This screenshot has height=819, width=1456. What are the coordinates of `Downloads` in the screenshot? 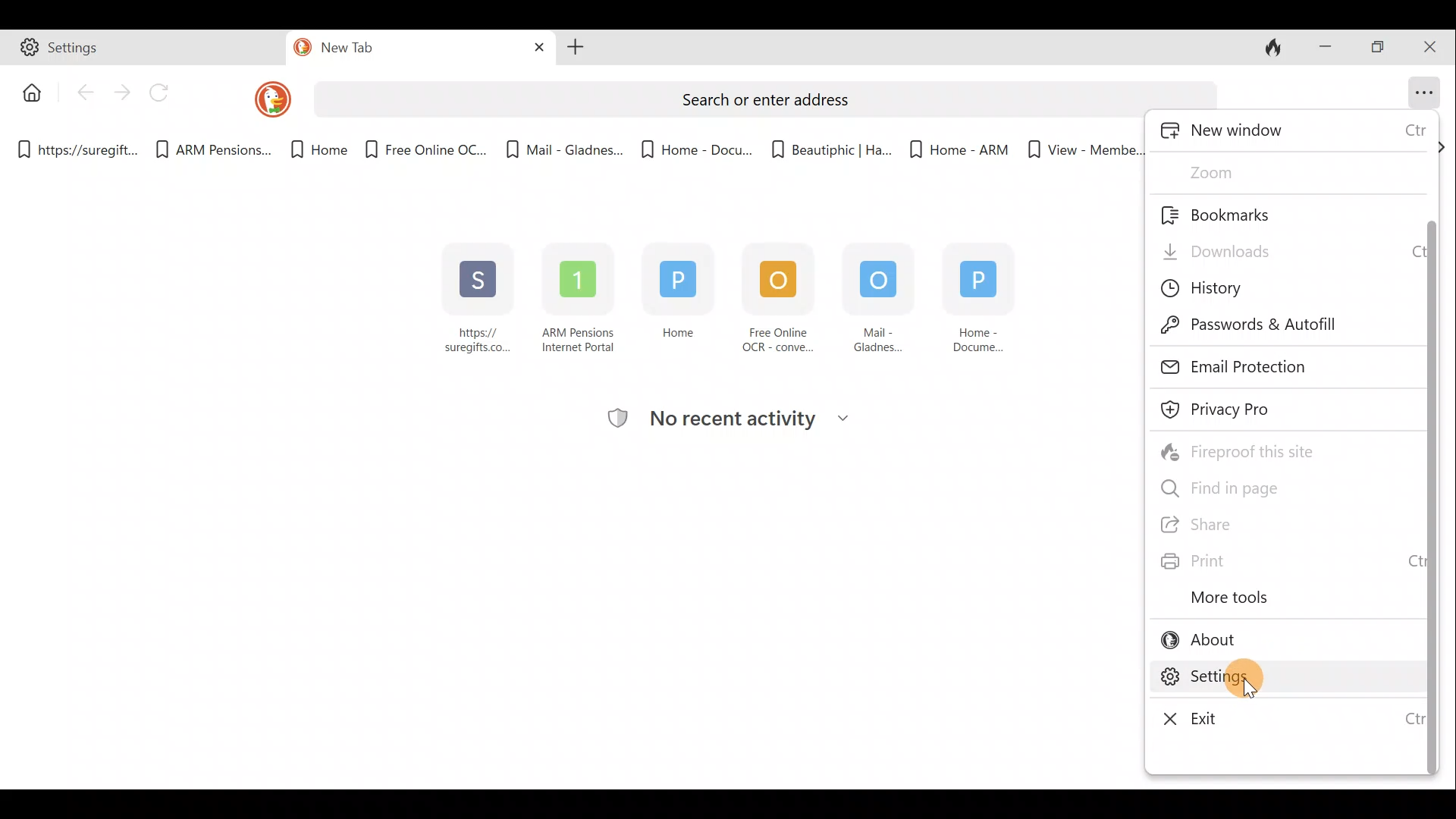 It's located at (1213, 248).